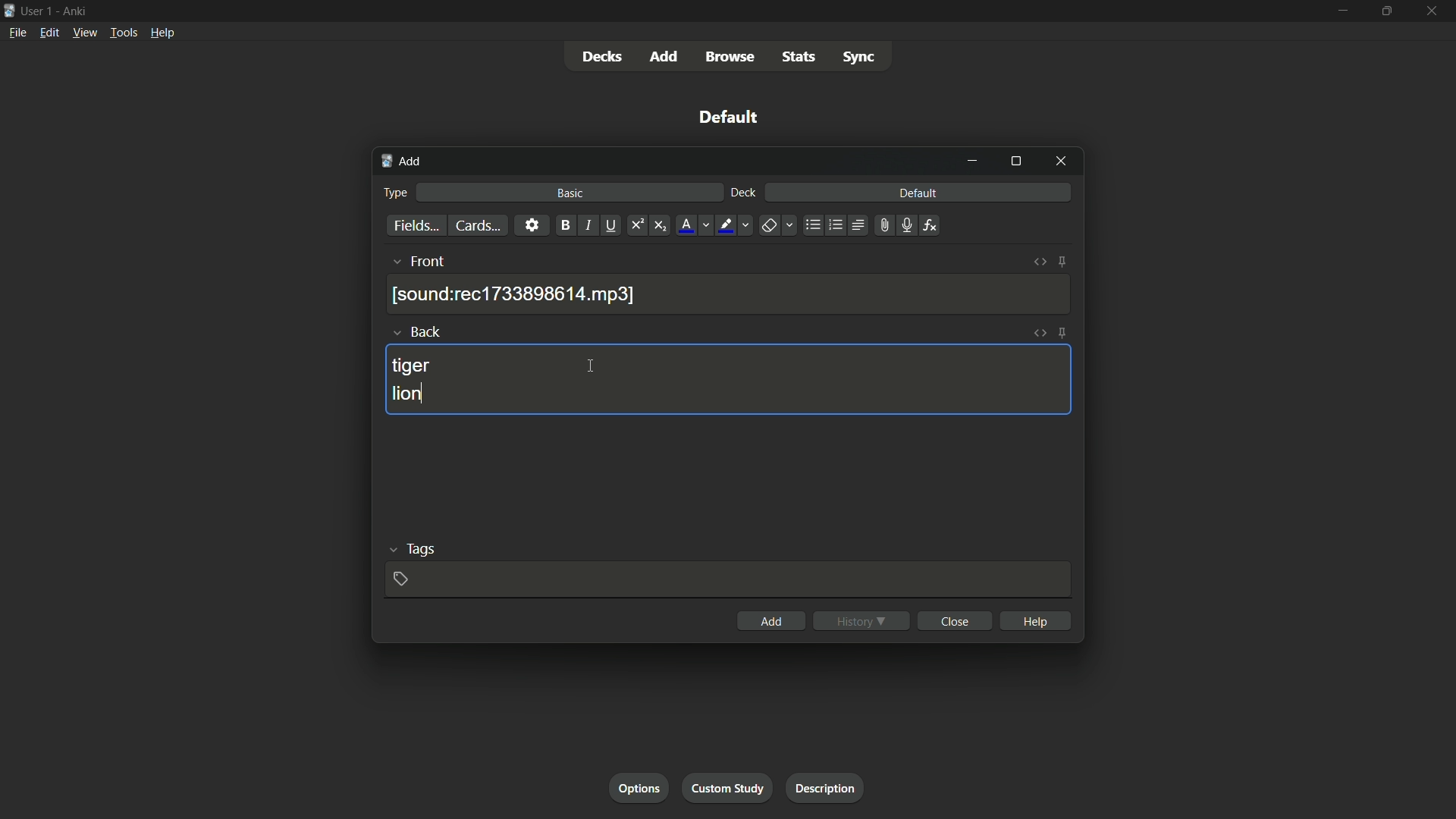 The image size is (1456, 819). What do you see at coordinates (1035, 620) in the screenshot?
I see `help` at bounding box center [1035, 620].